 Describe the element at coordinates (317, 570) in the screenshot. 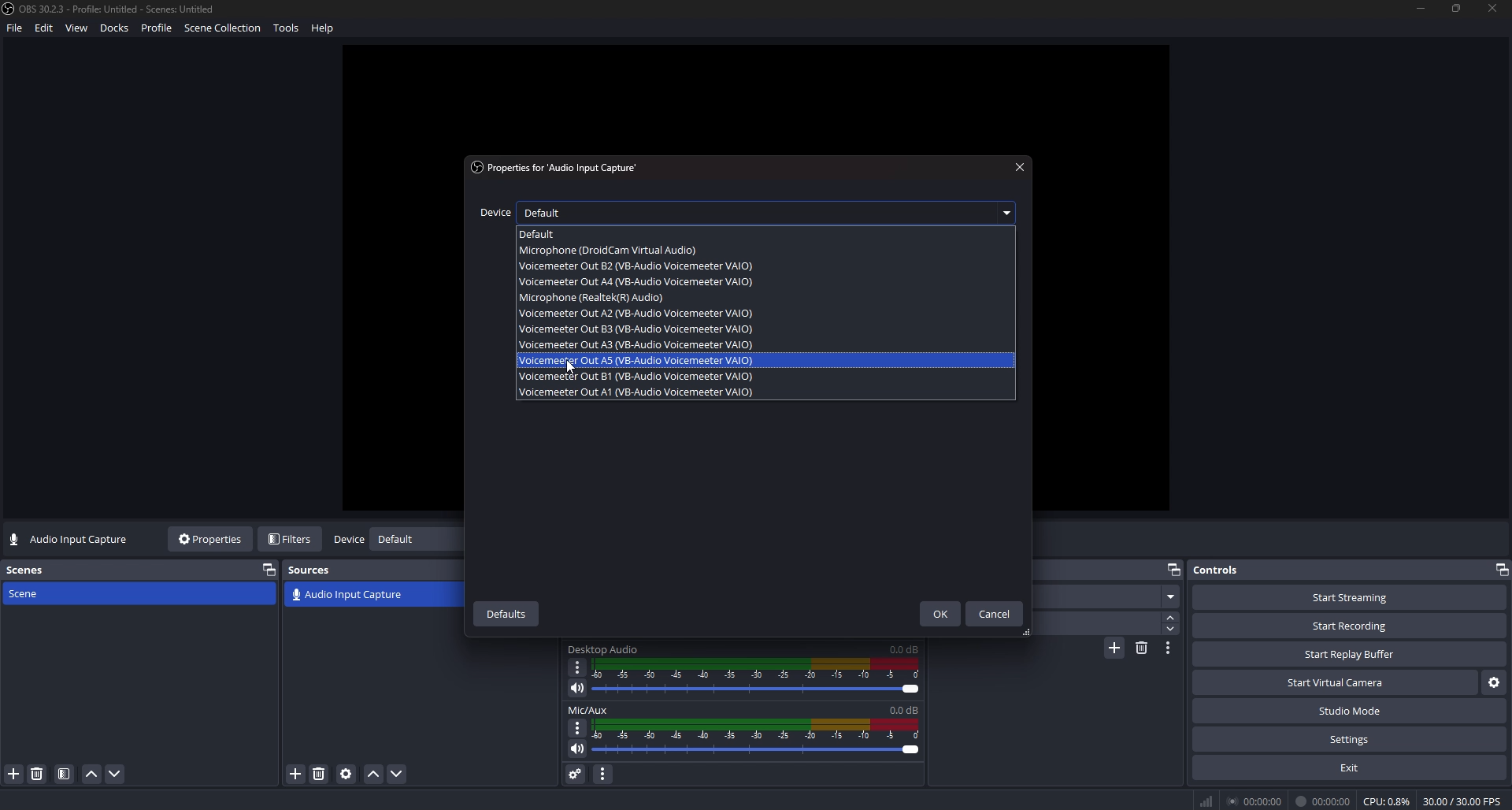

I see `sources` at that location.